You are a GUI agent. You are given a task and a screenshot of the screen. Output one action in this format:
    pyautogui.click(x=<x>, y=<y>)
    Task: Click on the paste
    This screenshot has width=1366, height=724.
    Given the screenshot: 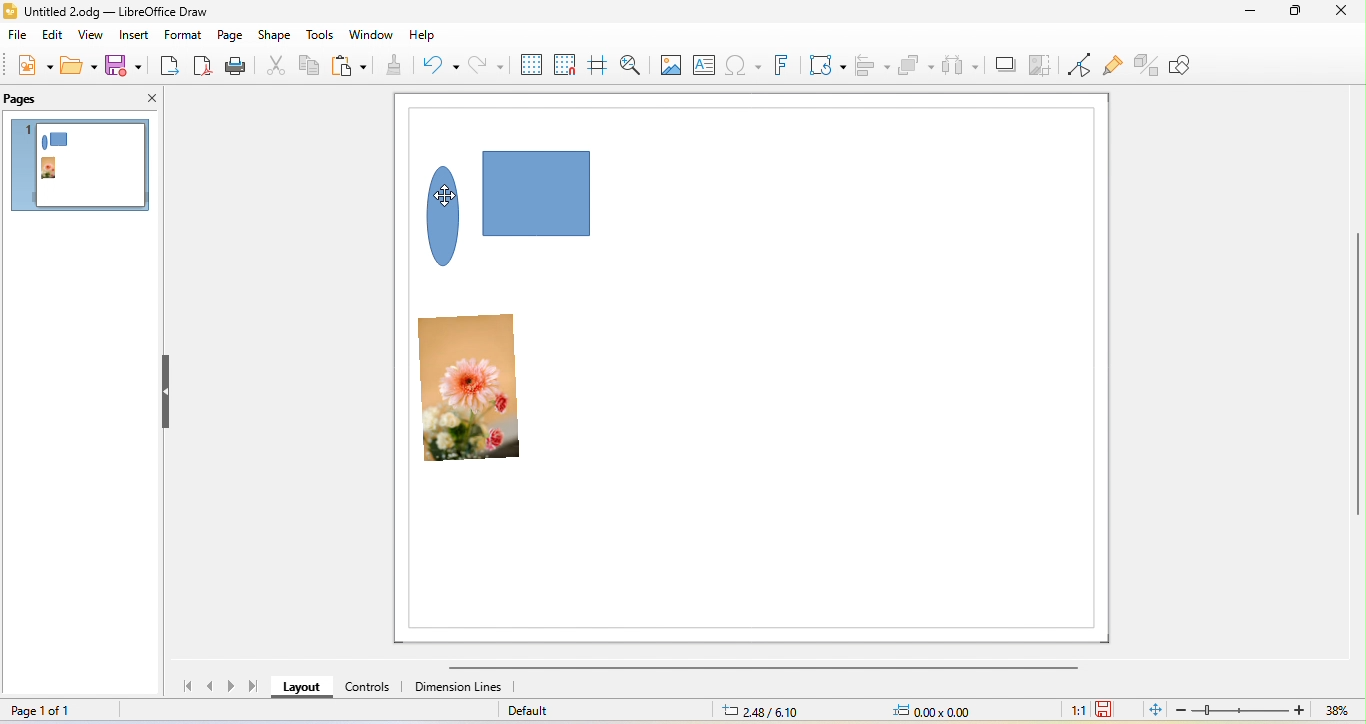 What is the action you would take?
    pyautogui.click(x=353, y=64)
    